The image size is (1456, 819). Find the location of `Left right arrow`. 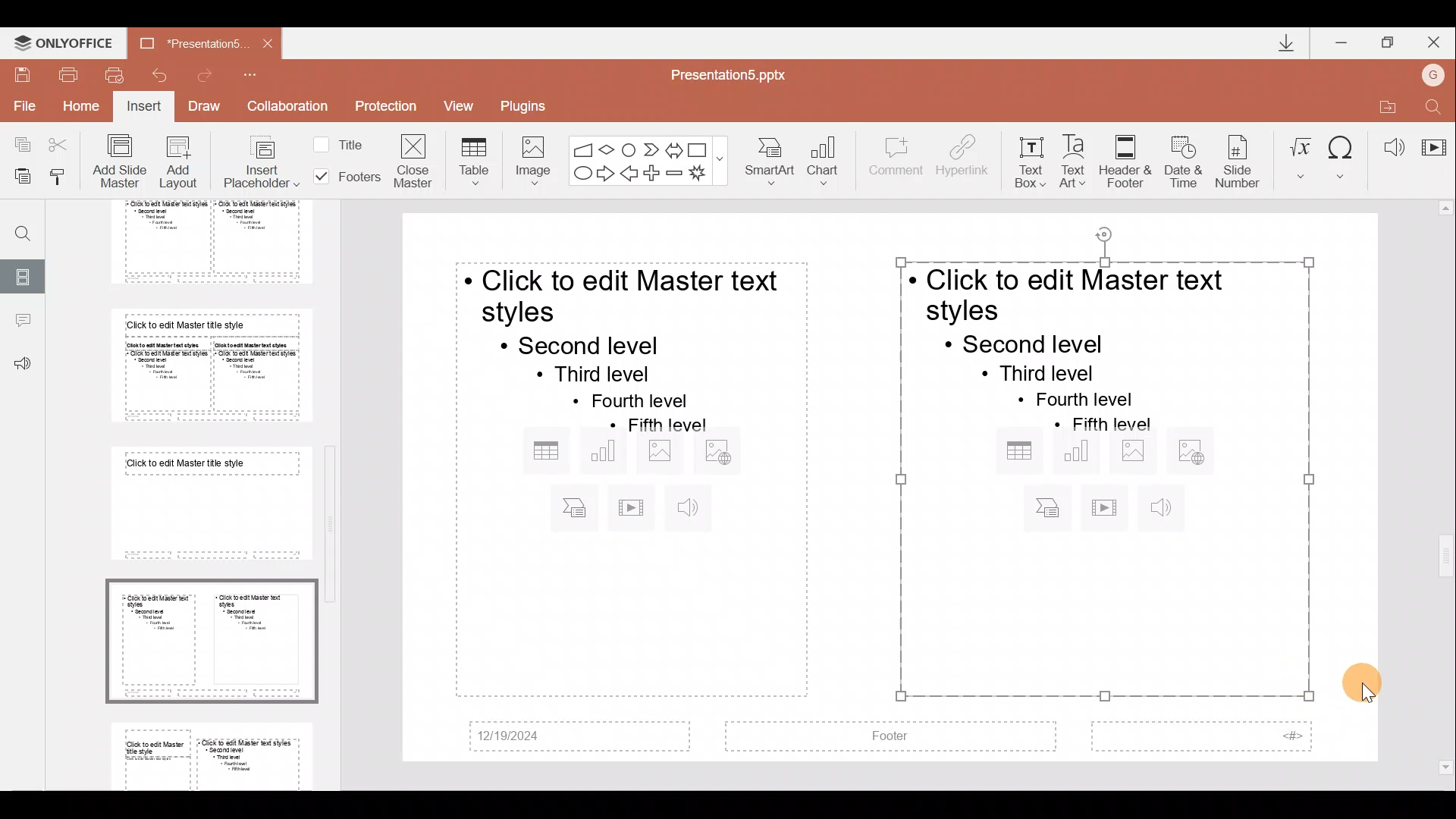

Left right arrow is located at coordinates (673, 147).